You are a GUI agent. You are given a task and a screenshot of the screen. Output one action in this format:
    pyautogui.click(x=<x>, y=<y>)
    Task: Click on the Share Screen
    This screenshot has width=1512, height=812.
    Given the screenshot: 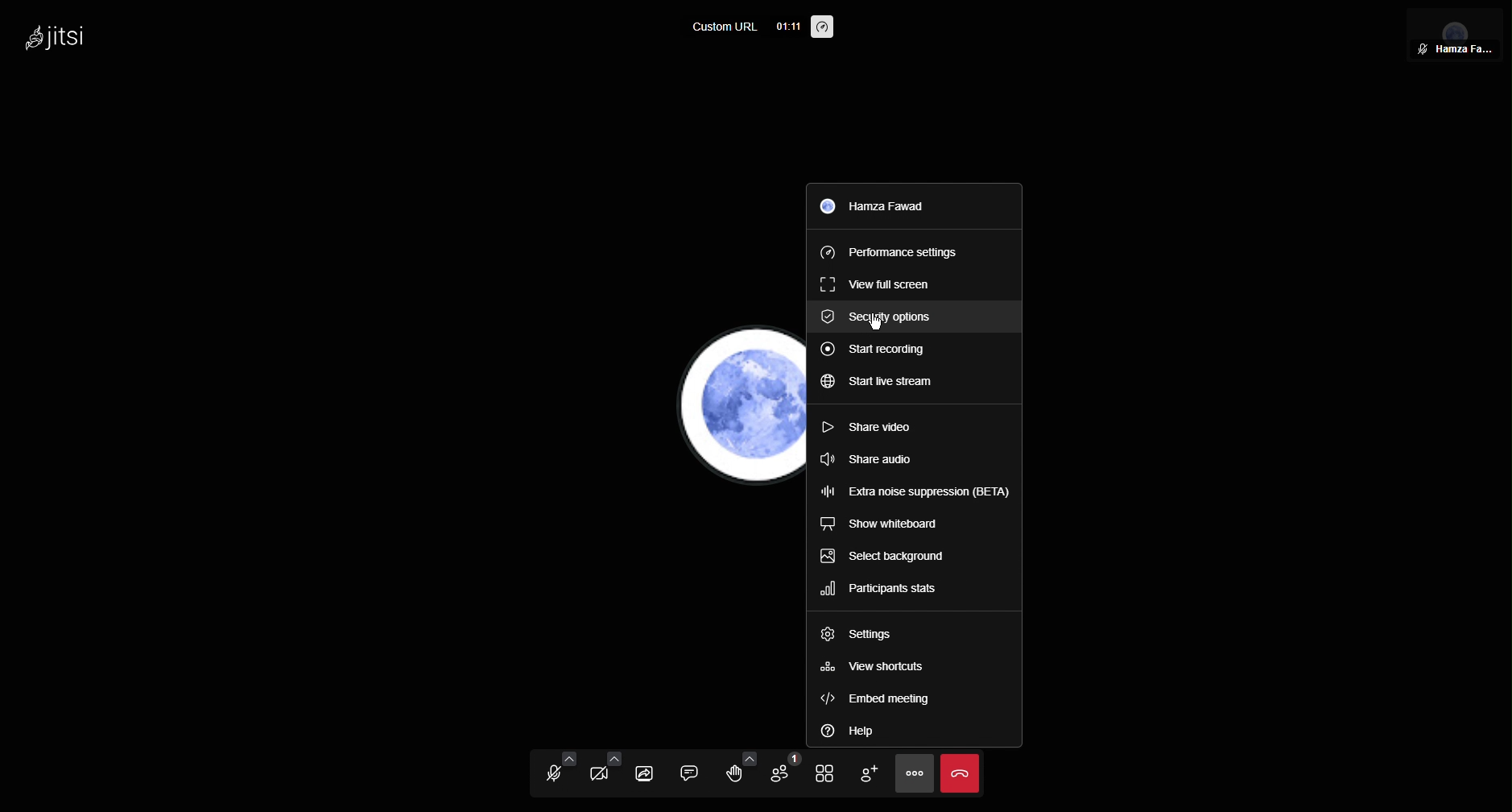 What is the action you would take?
    pyautogui.click(x=655, y=772)
    